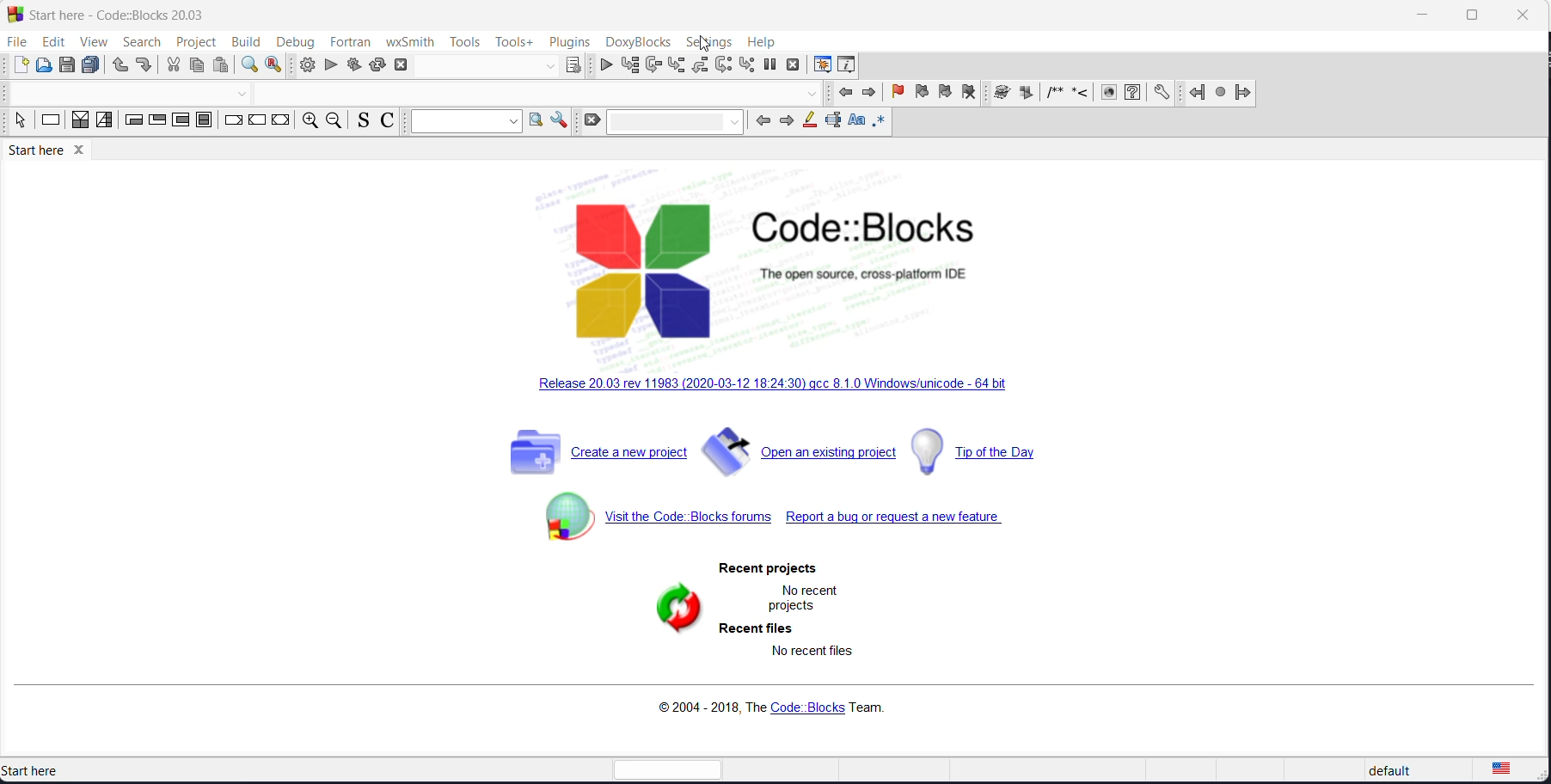 Image resolution: width=1551 pixels, height=784 pixels. I want to click on zoom in, so click(307, 122).